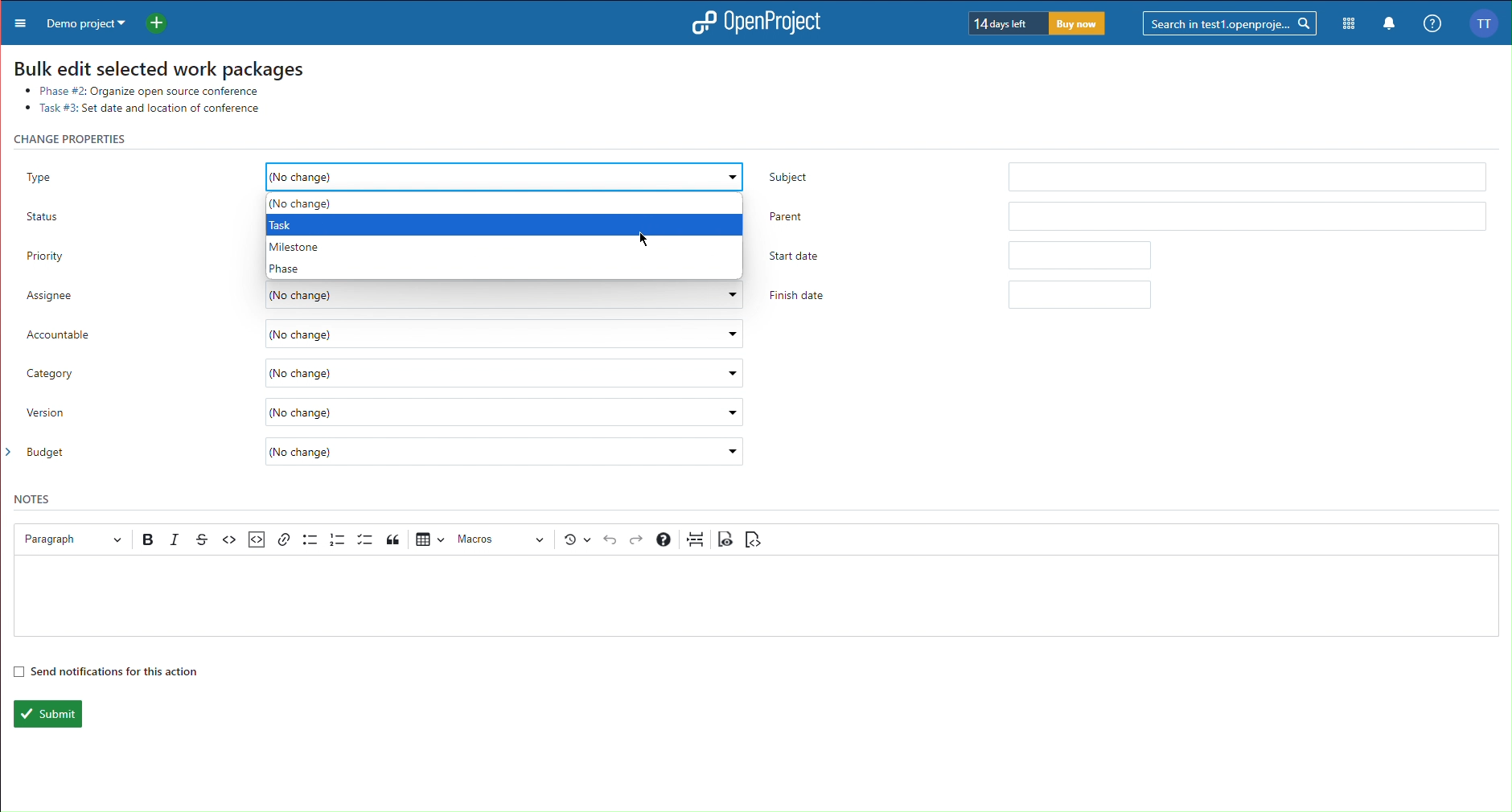 The width and height of the screenshot is (1512, 812). What do you see at coordinates (429, 538) in the screenshot?
I see `Table` at bounding box center [429, 538].